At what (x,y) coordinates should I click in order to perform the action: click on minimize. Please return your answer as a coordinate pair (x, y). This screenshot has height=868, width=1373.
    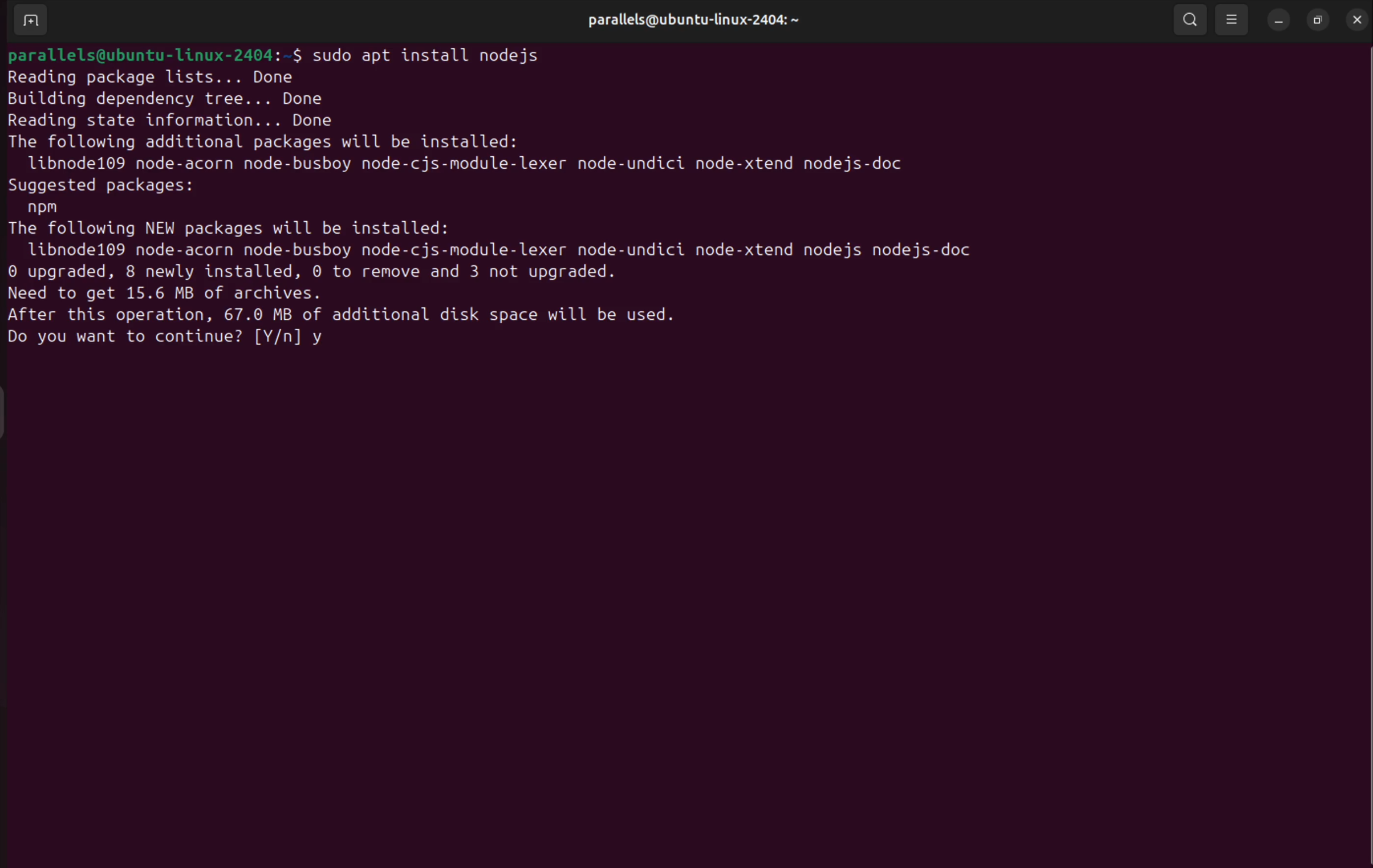
    Looking at the image, I should click on (1278, 22).